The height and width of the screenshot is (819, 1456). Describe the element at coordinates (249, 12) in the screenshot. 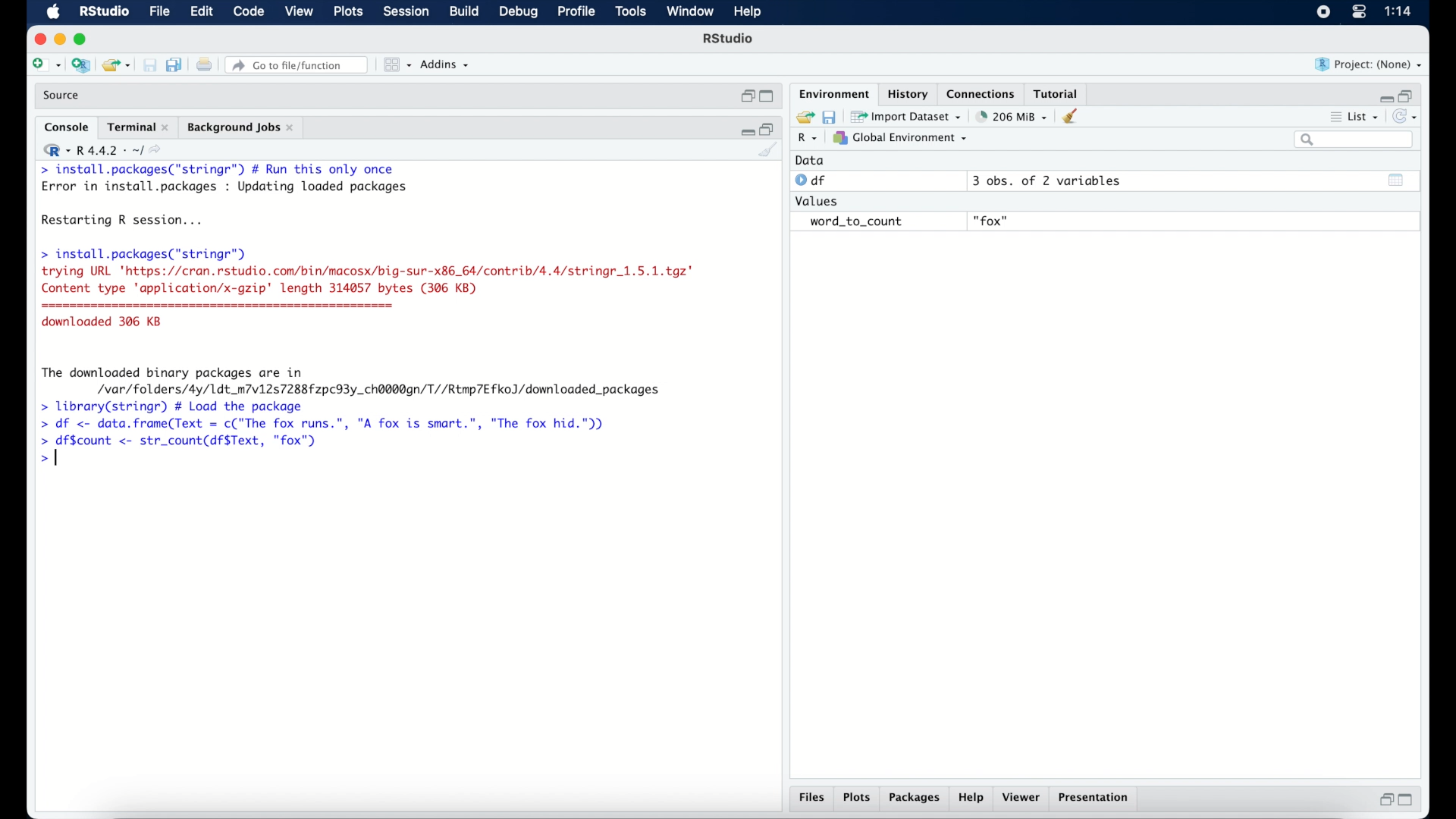

I see `code` at that location.